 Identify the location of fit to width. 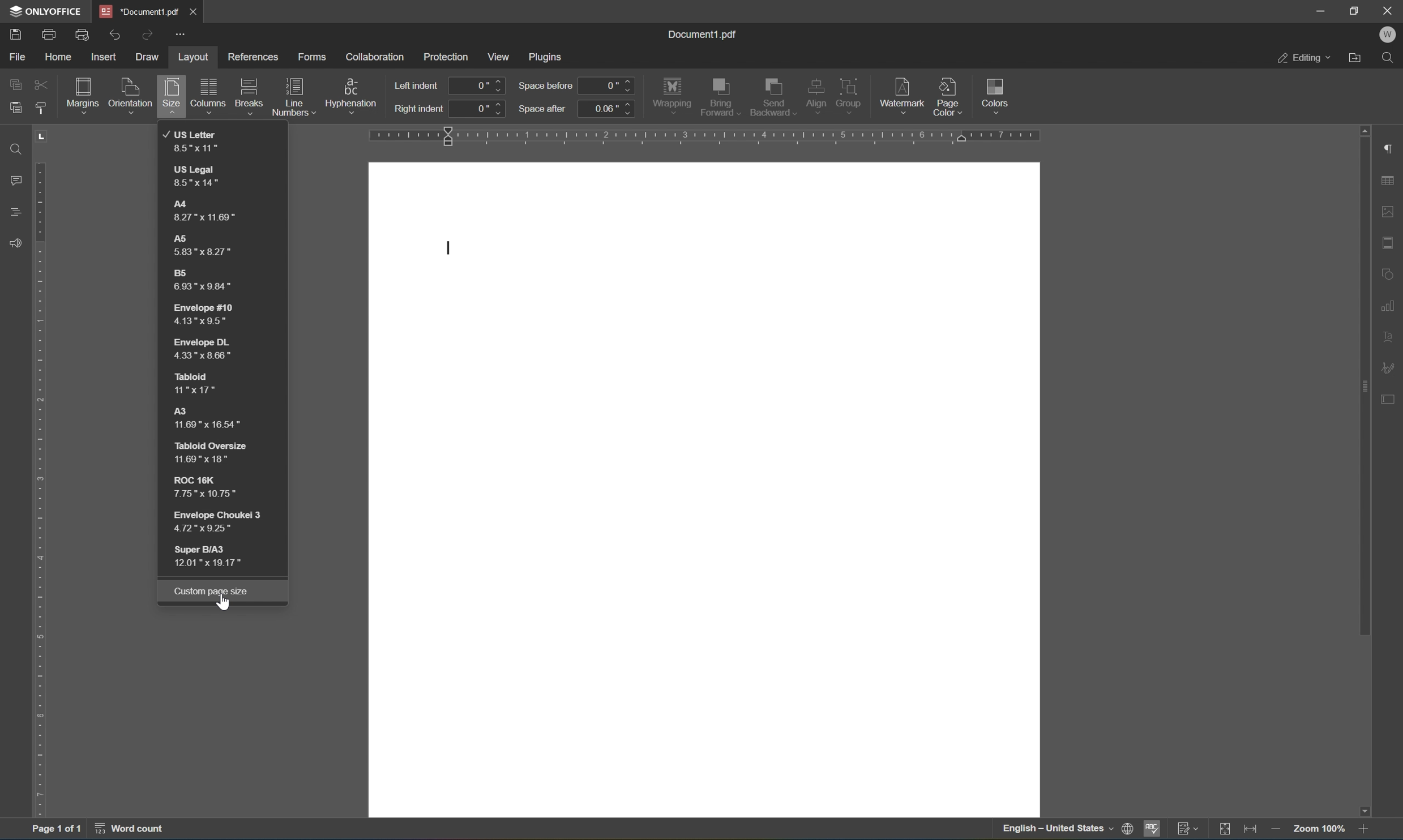
(1254, 830).